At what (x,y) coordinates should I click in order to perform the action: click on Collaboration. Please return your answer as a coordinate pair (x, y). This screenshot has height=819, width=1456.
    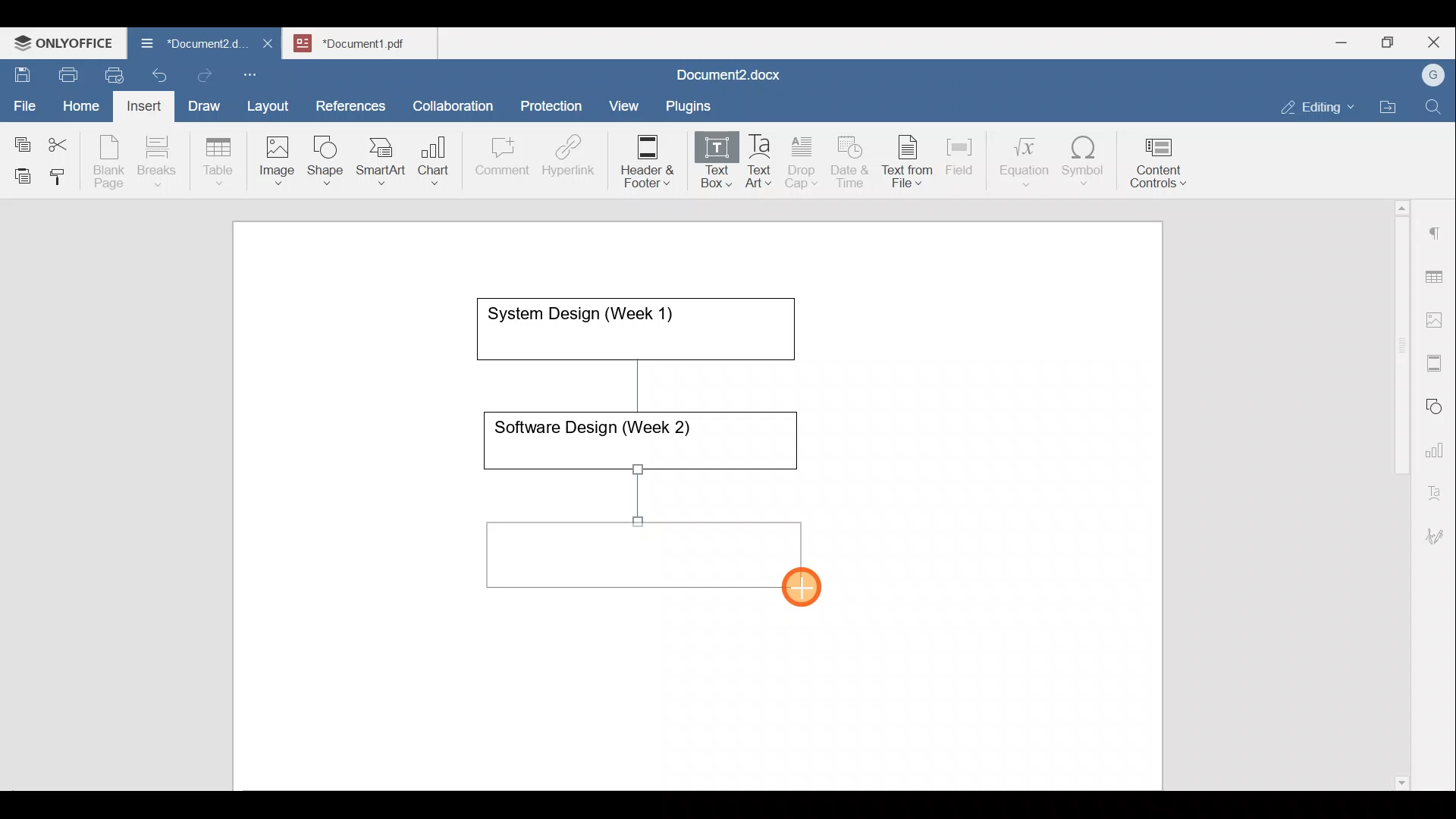
    Looking at the image, I should click on (450, 98).